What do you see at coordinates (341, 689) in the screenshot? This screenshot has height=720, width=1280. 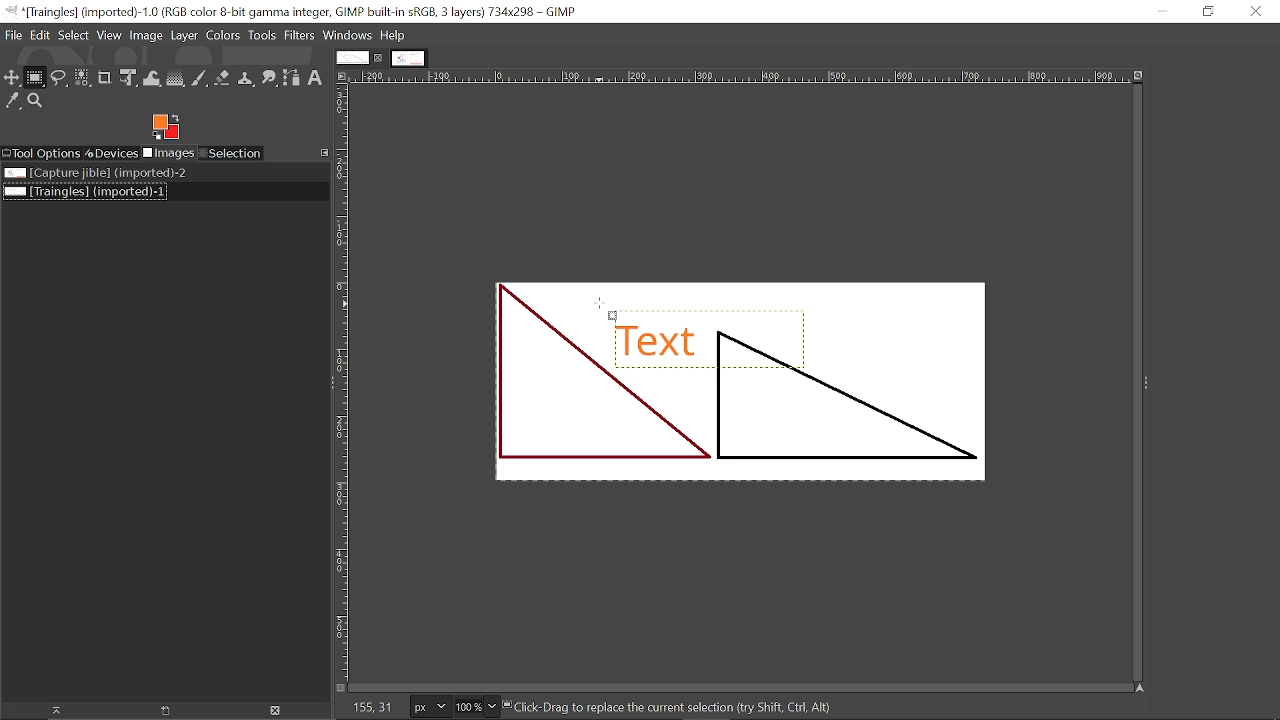 I see `Toggle quick mask on/off` at bounding box center [341, 689].